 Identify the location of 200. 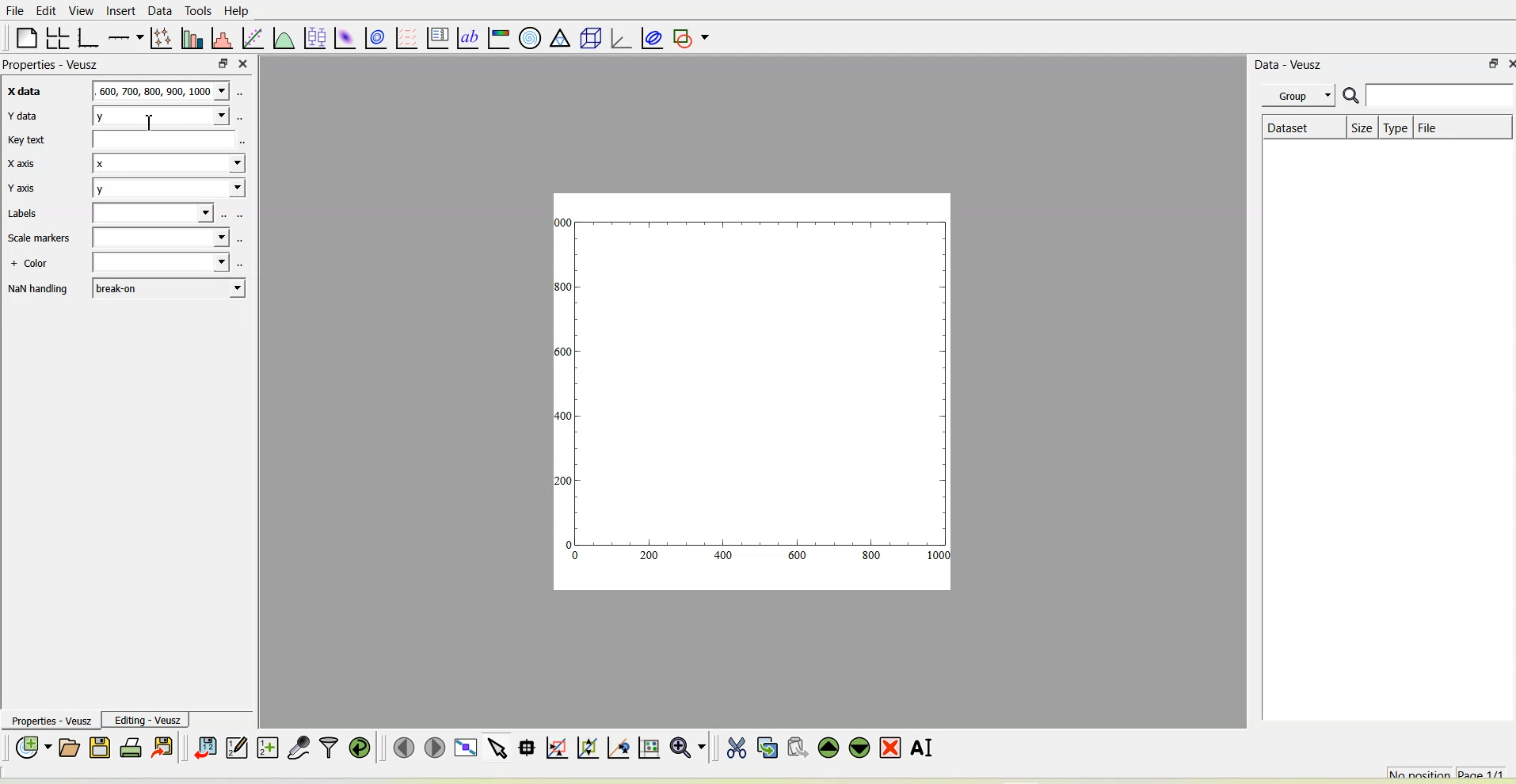
(564, 480).